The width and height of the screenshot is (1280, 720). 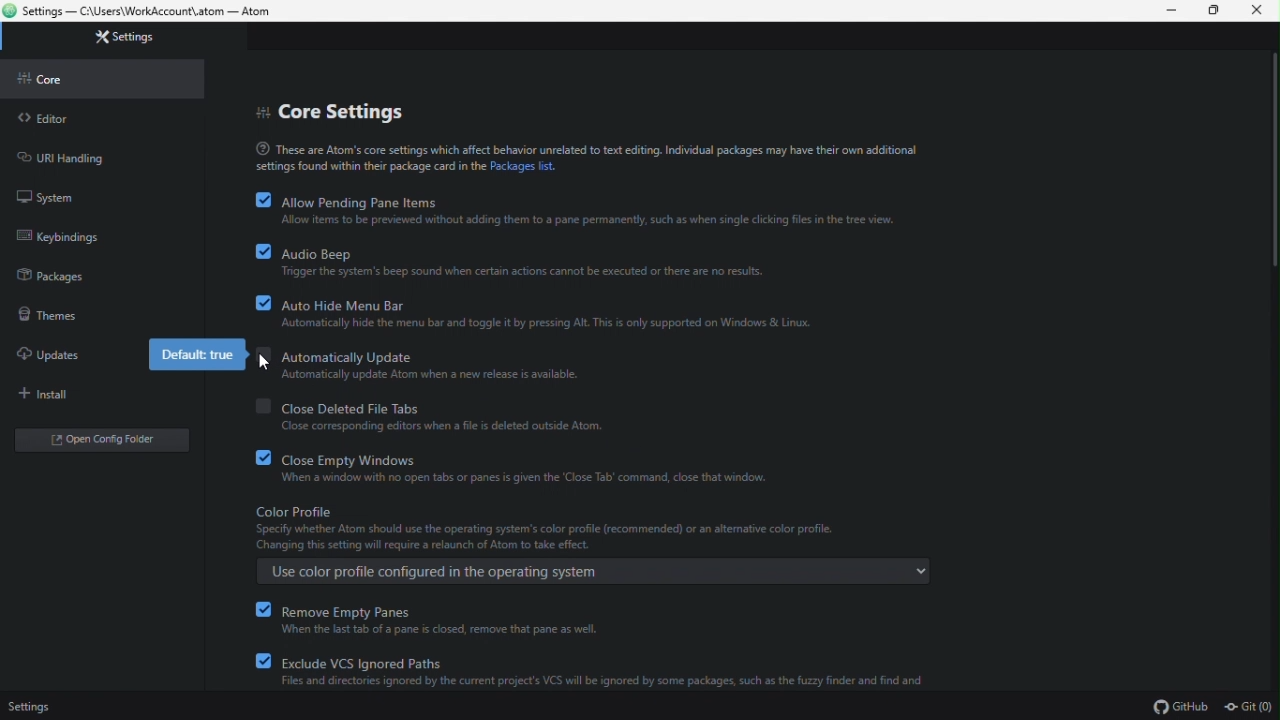 I want to click on automatically updates, so click(x=419, y=365).